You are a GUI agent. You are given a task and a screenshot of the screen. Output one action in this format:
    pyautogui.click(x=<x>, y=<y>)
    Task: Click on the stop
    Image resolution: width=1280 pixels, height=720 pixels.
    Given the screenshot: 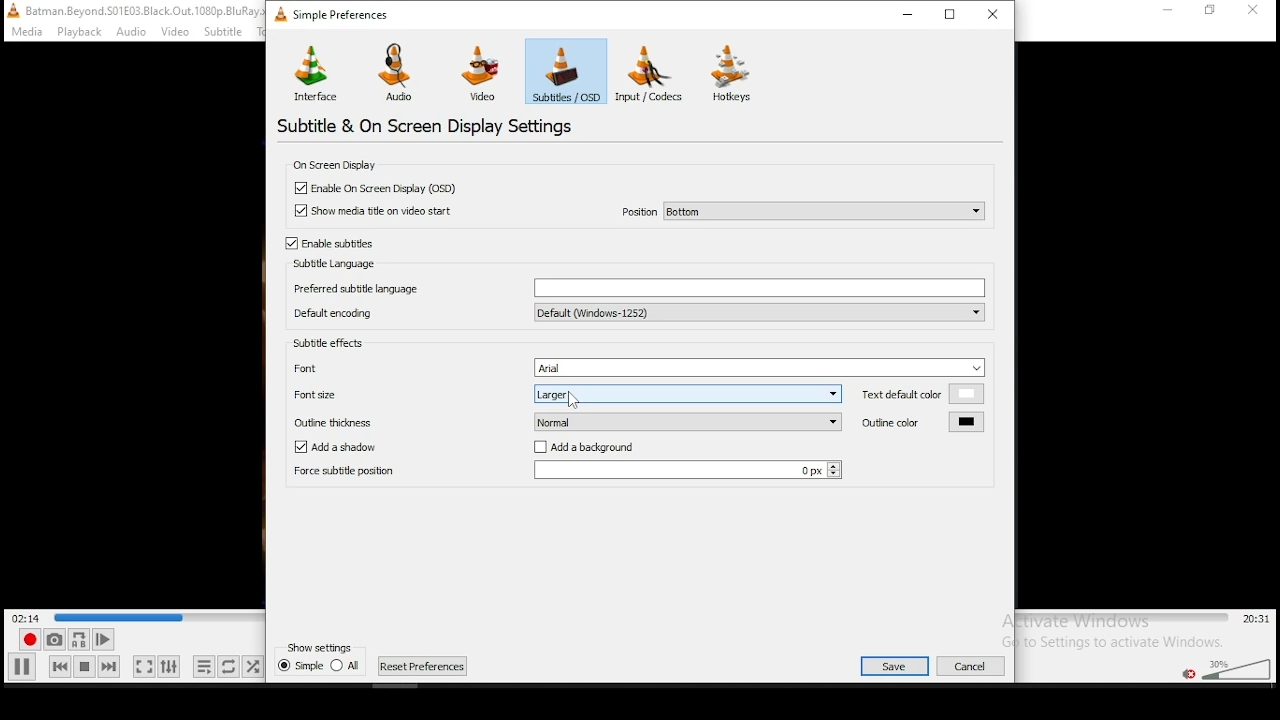 What is the action you would take?
    pyautogui.click(x=84, y=666)
    